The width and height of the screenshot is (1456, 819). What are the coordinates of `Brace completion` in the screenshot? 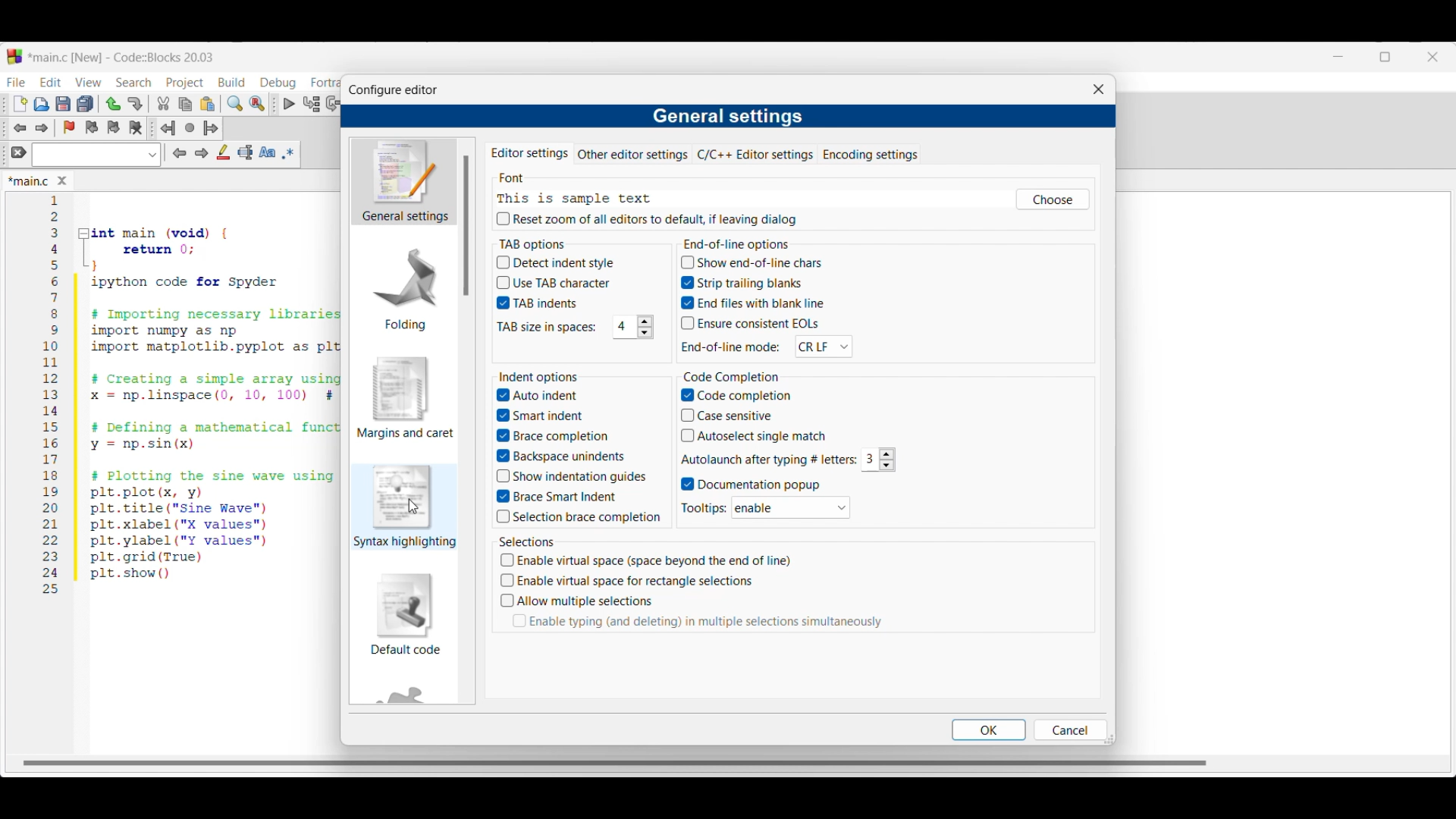 It's located at (548, 437).